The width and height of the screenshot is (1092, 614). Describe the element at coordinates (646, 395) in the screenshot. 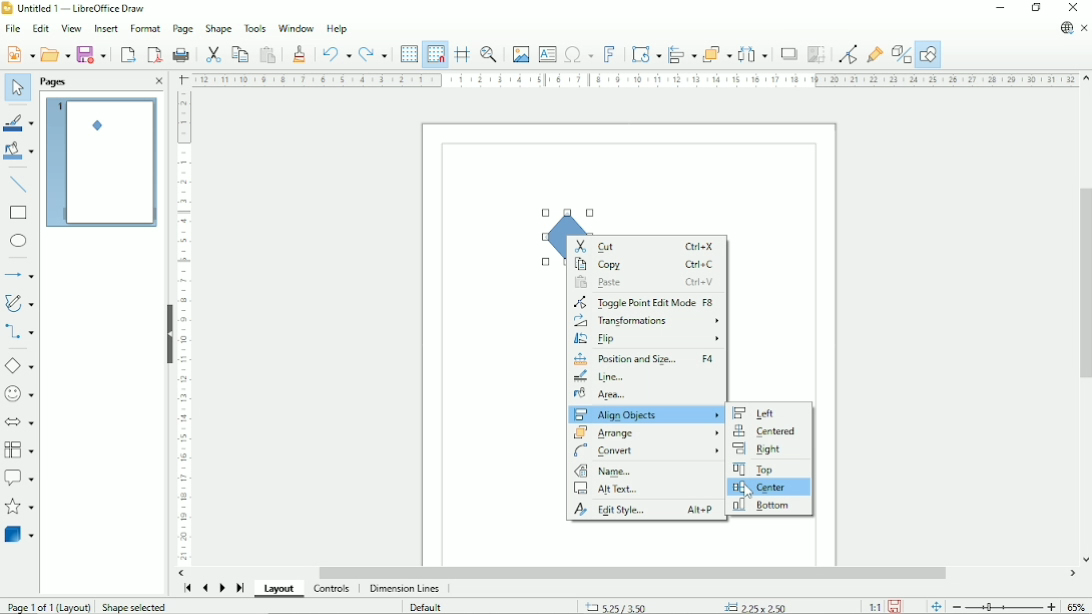

I see `Area` at that location.